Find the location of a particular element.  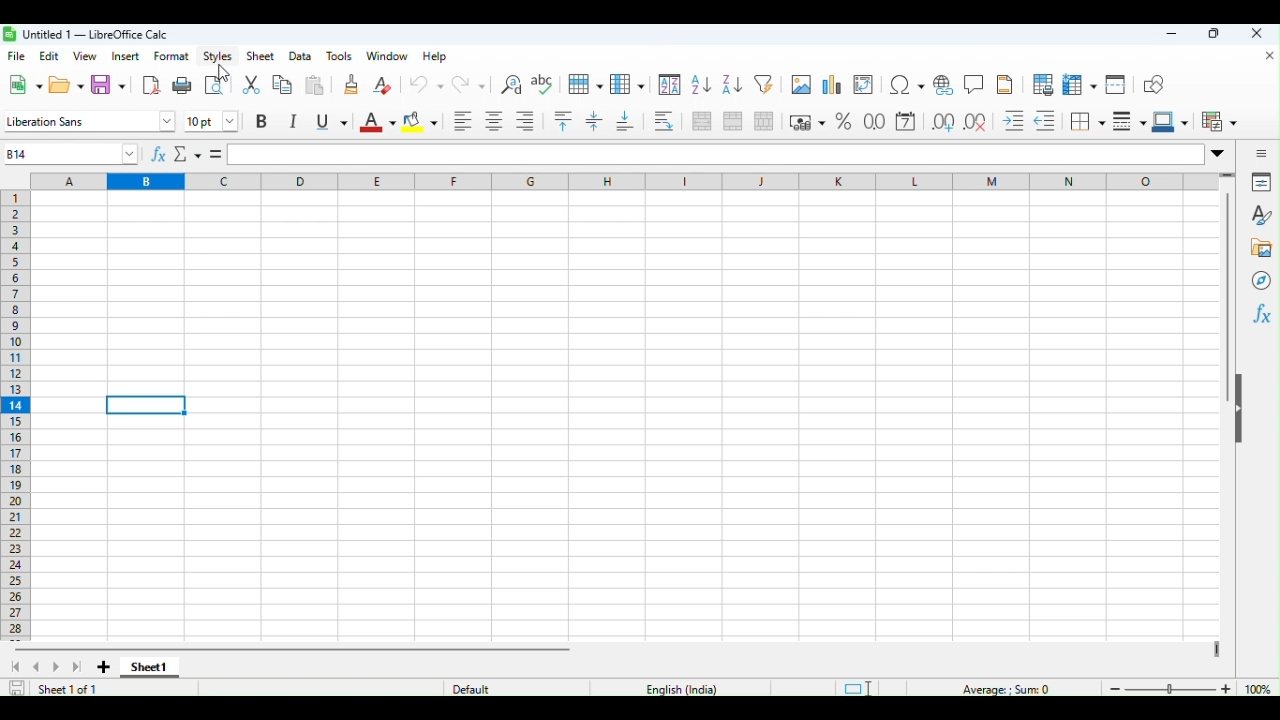

o is located at coordinates (1150, 182).